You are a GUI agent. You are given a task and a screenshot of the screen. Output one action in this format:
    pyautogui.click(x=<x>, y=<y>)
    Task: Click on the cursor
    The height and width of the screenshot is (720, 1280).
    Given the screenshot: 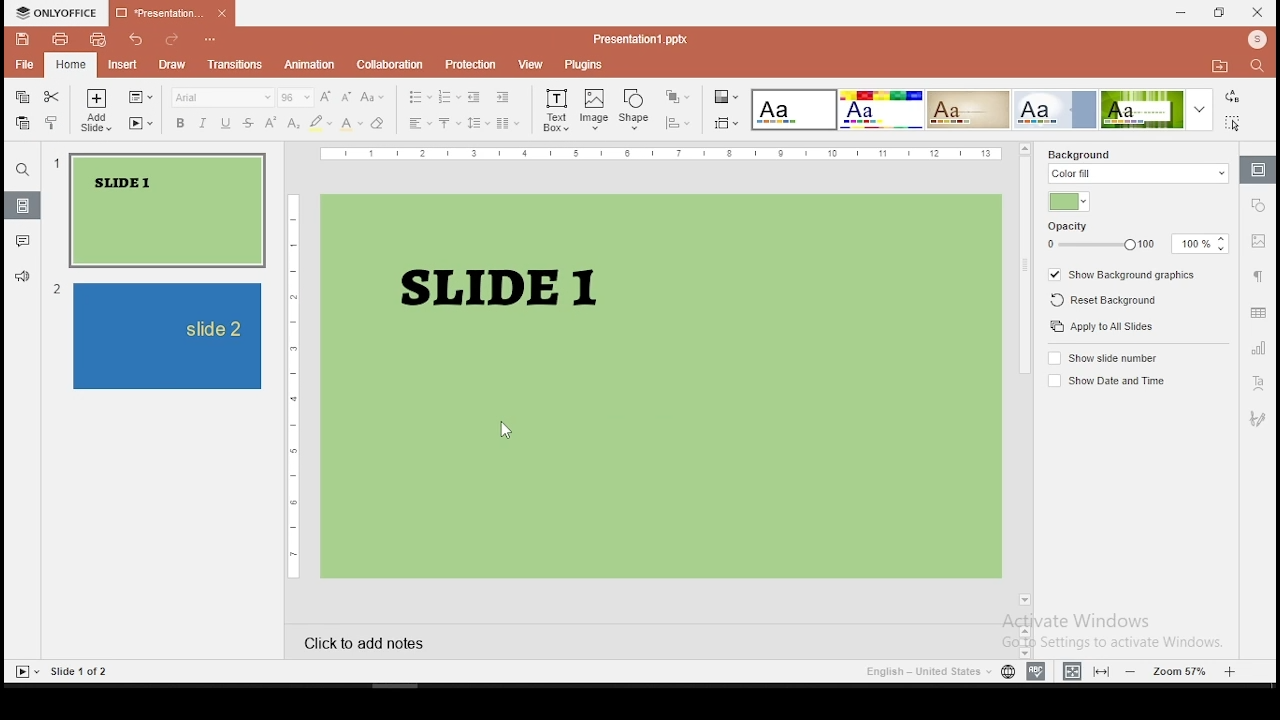 What is the action you would take?
    pyautogui.click(x=503, y=429)
    